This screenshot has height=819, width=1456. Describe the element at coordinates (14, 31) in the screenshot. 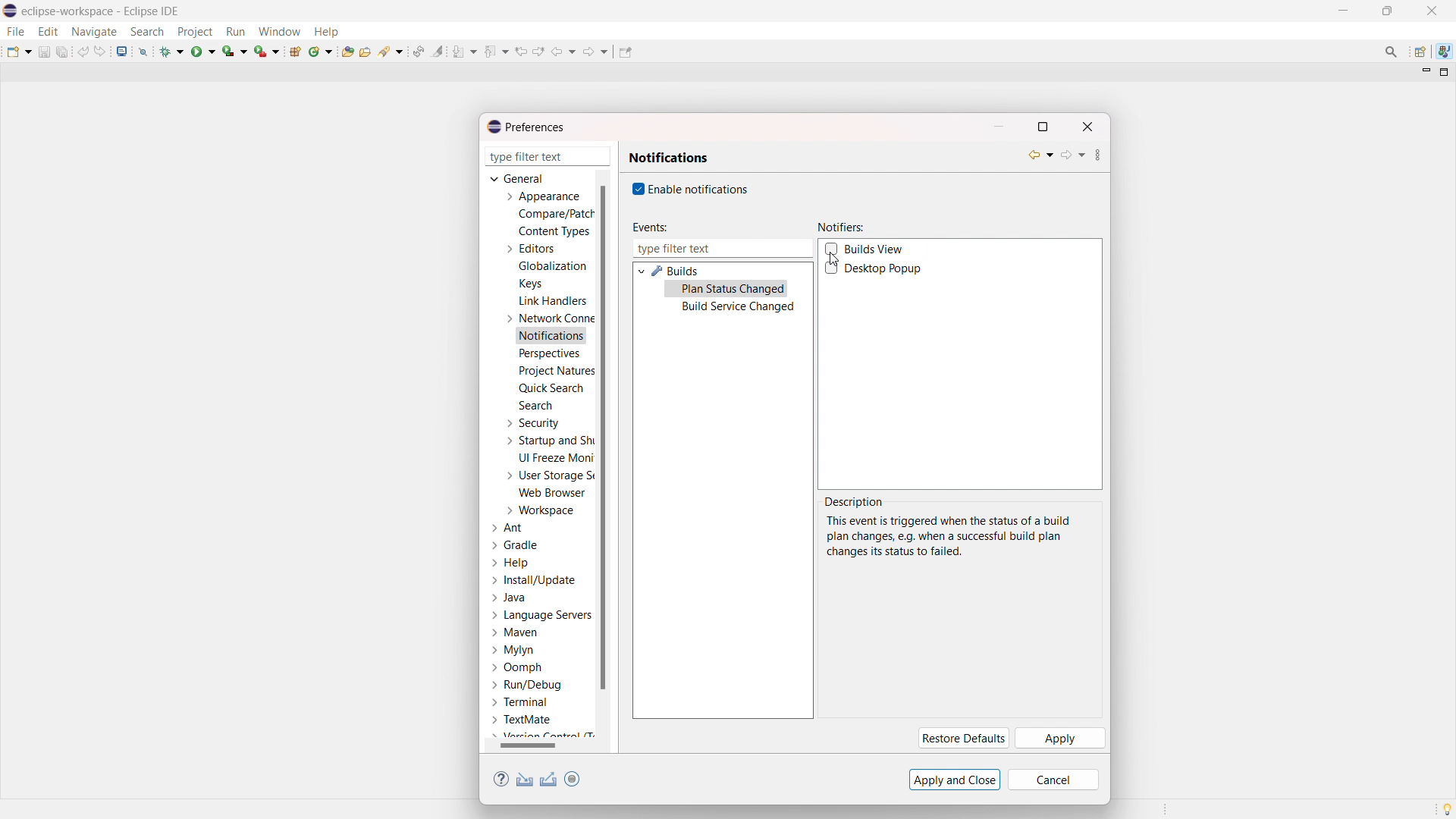

I see `file` at that location.